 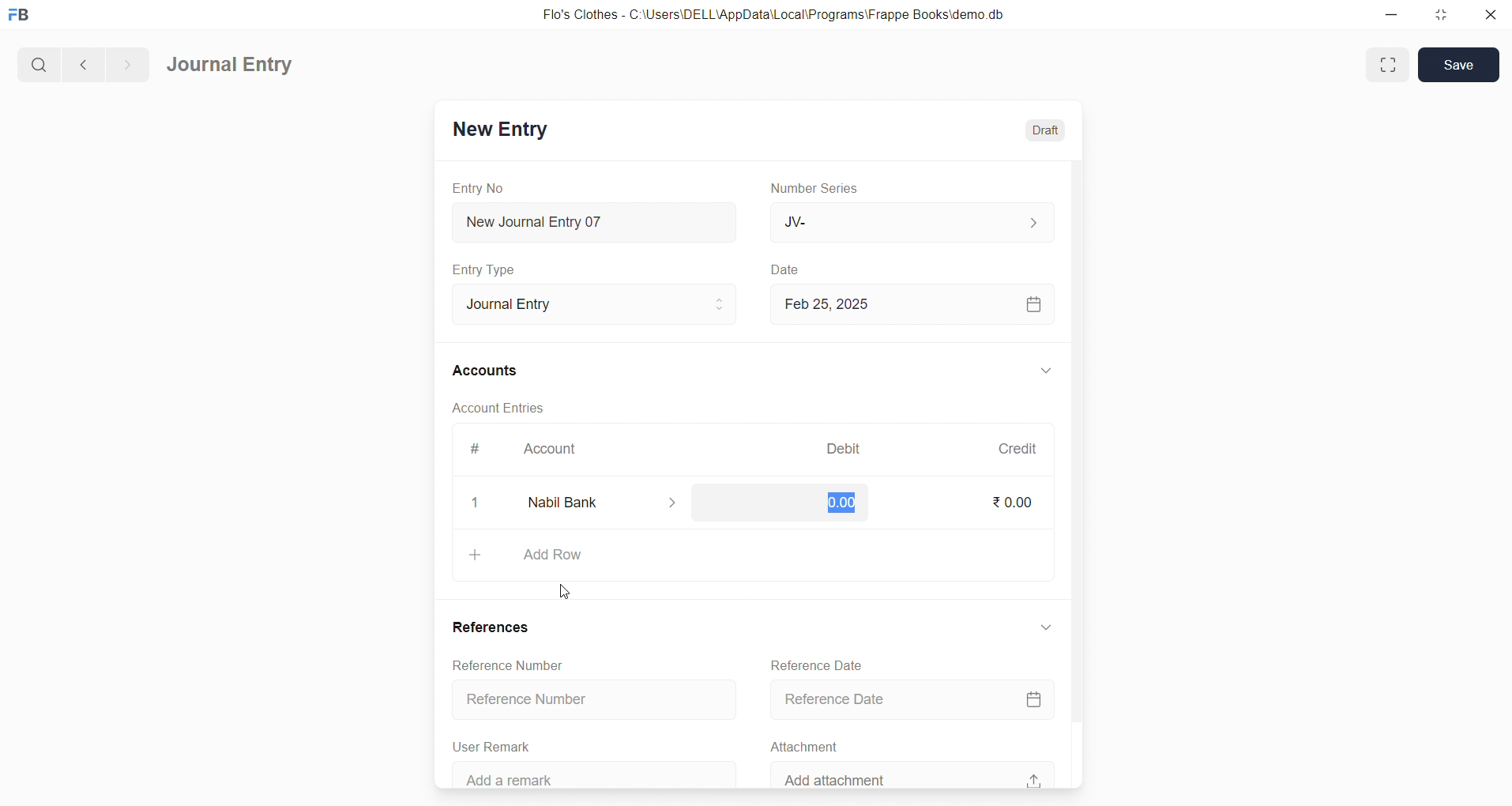 I want to click on Draft, so click(x=1046, y=128).